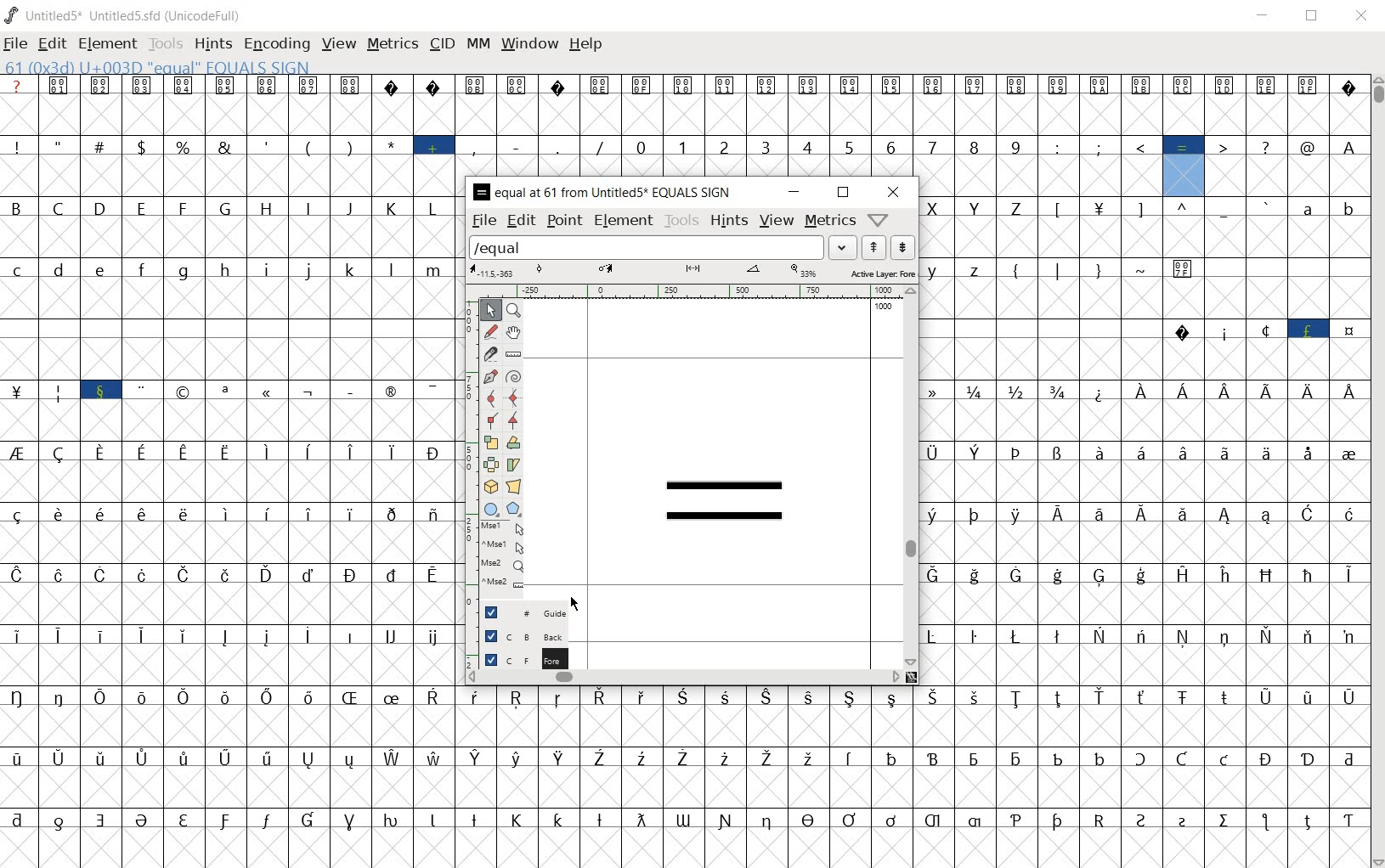  Describe the element at coordinates (514, 507) in the screenshot. I see `polygon or star` at that location.